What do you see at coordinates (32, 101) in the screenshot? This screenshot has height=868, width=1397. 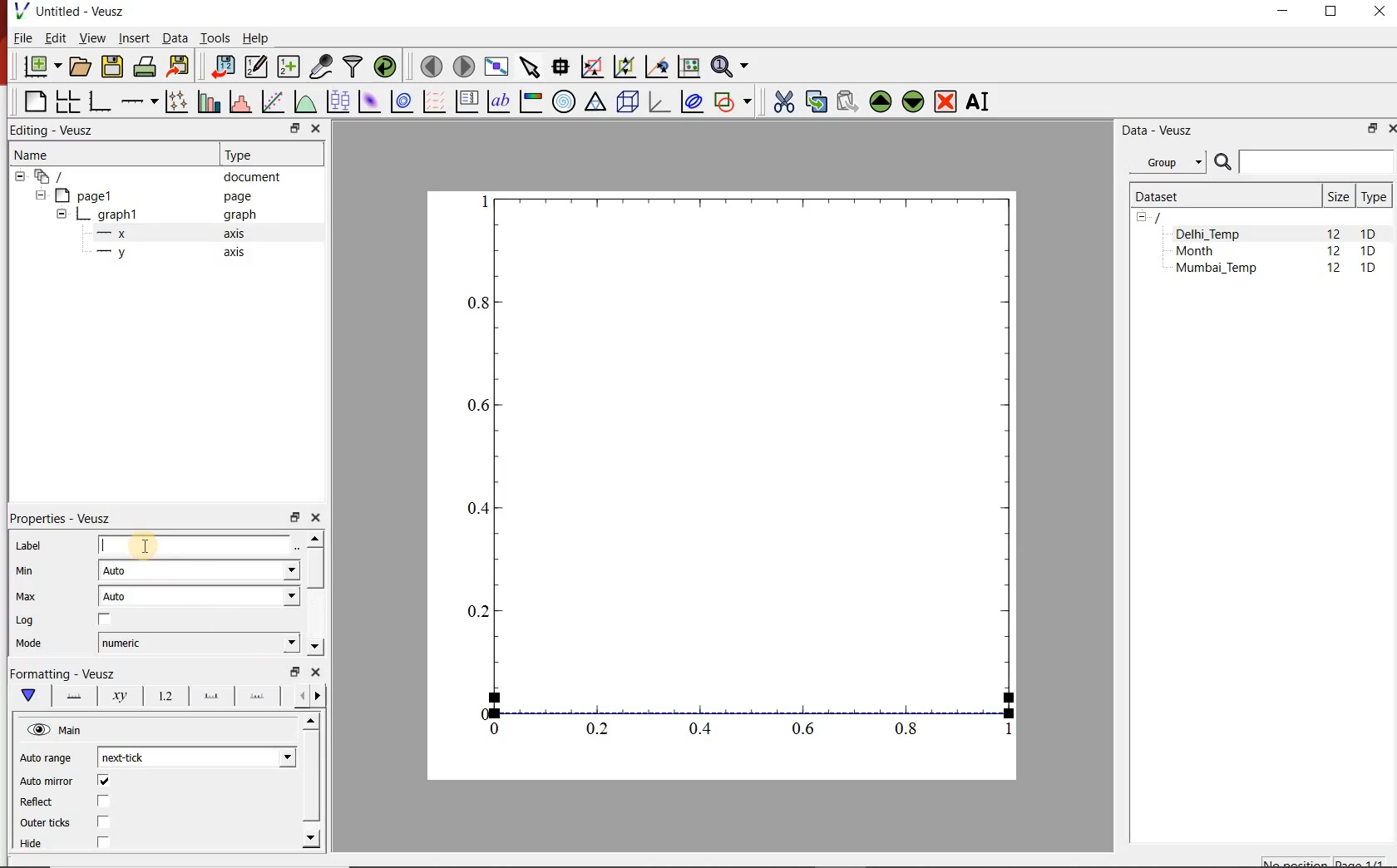 I see `blank page` at bounding box center [32, 101].